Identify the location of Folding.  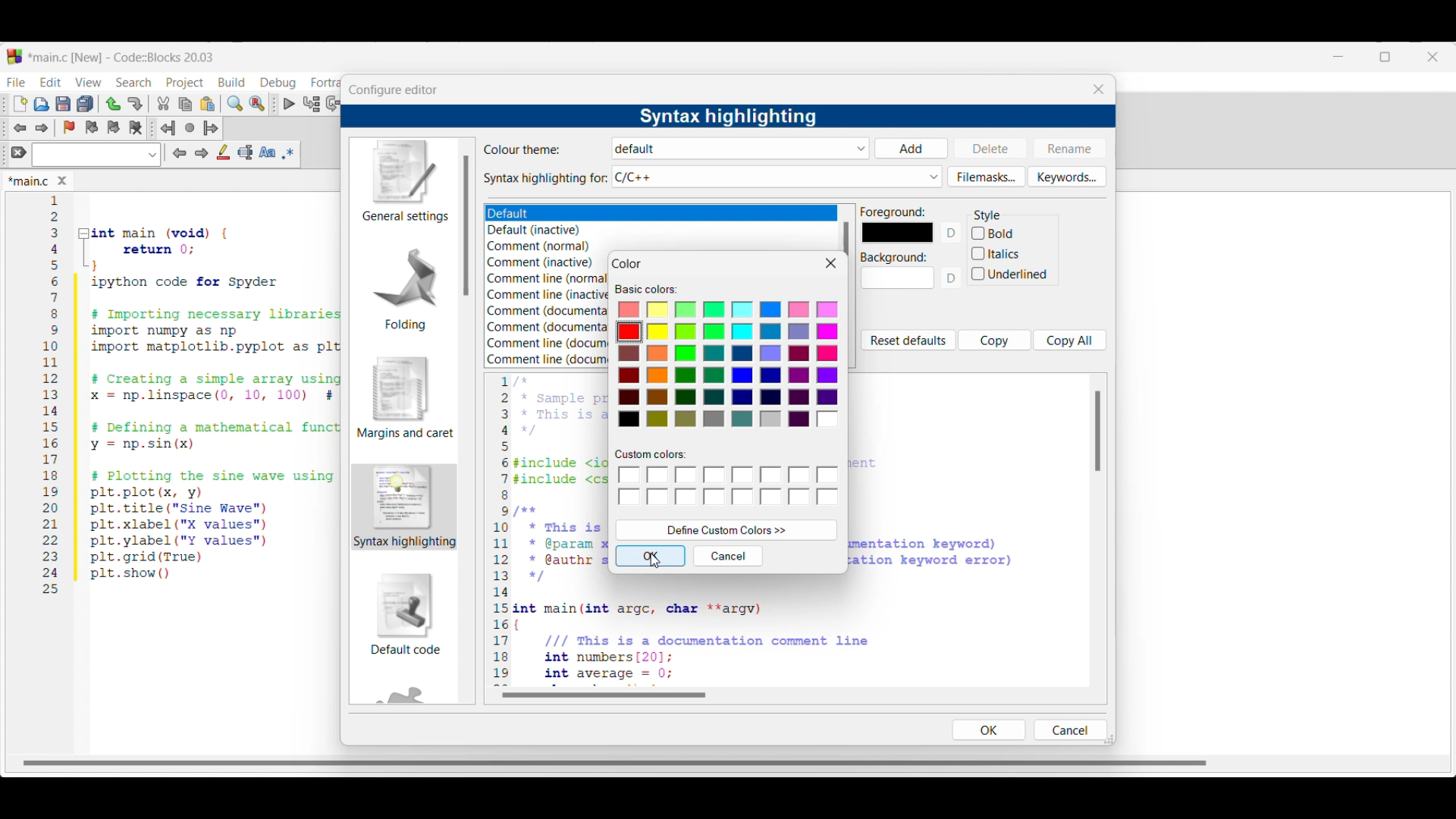
(405, 288).